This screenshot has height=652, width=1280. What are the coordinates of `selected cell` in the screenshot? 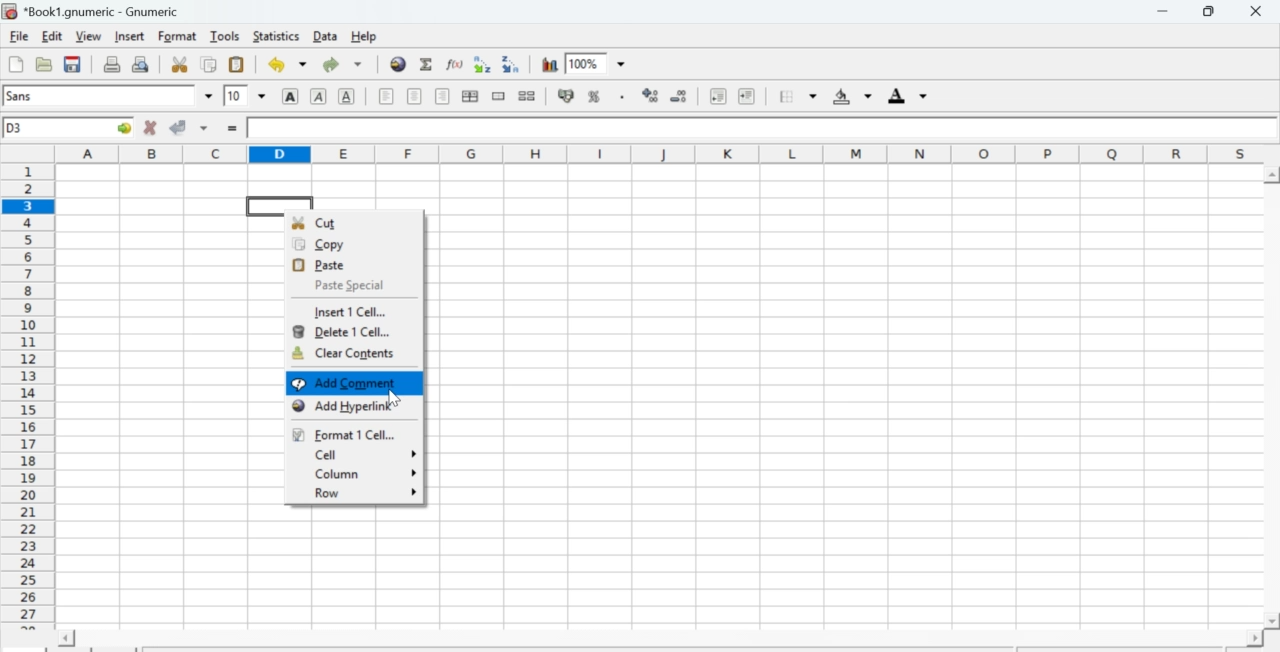 It's located at (279, 205).